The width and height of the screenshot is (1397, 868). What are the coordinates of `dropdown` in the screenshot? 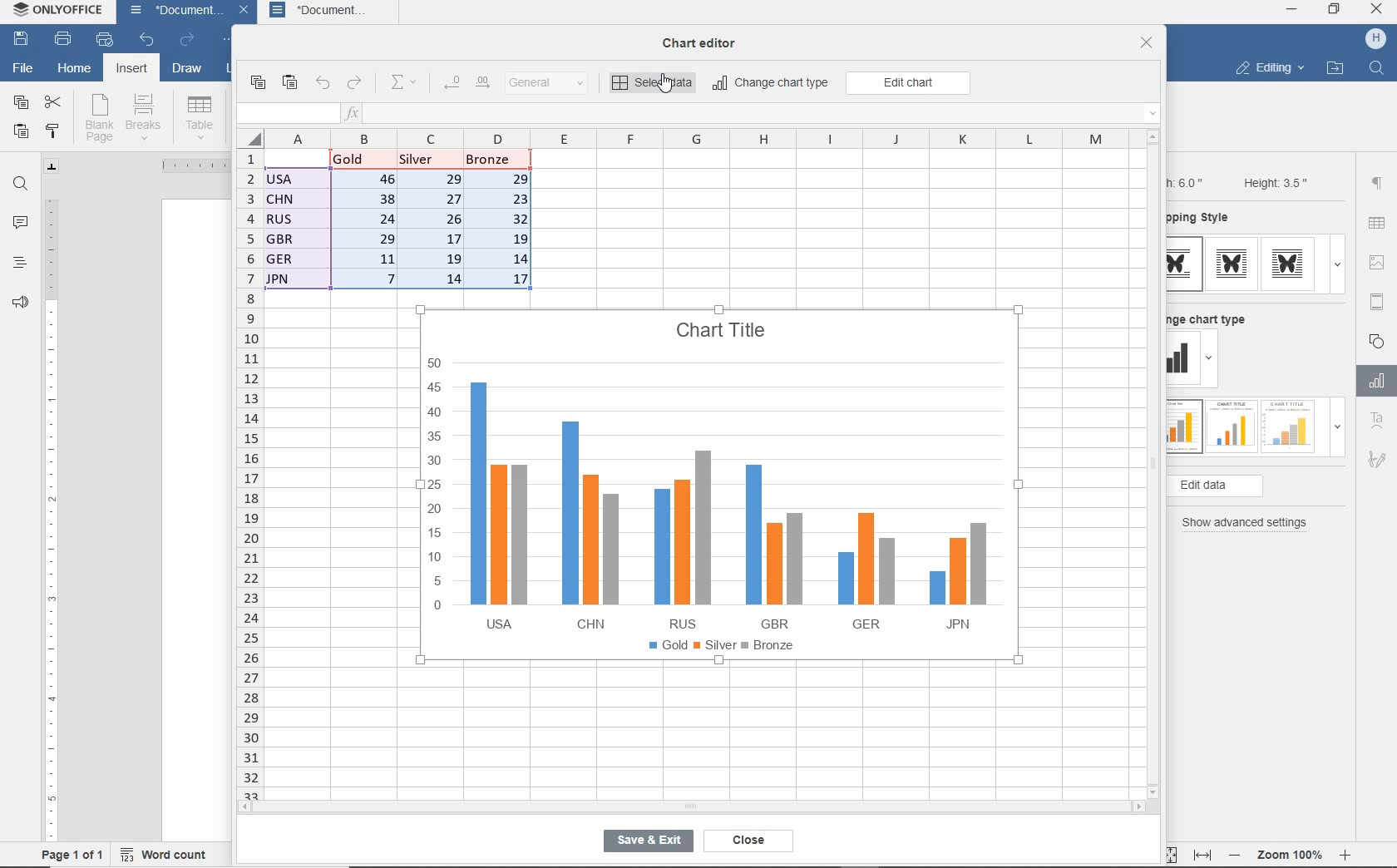 It's located at (1337, 264).